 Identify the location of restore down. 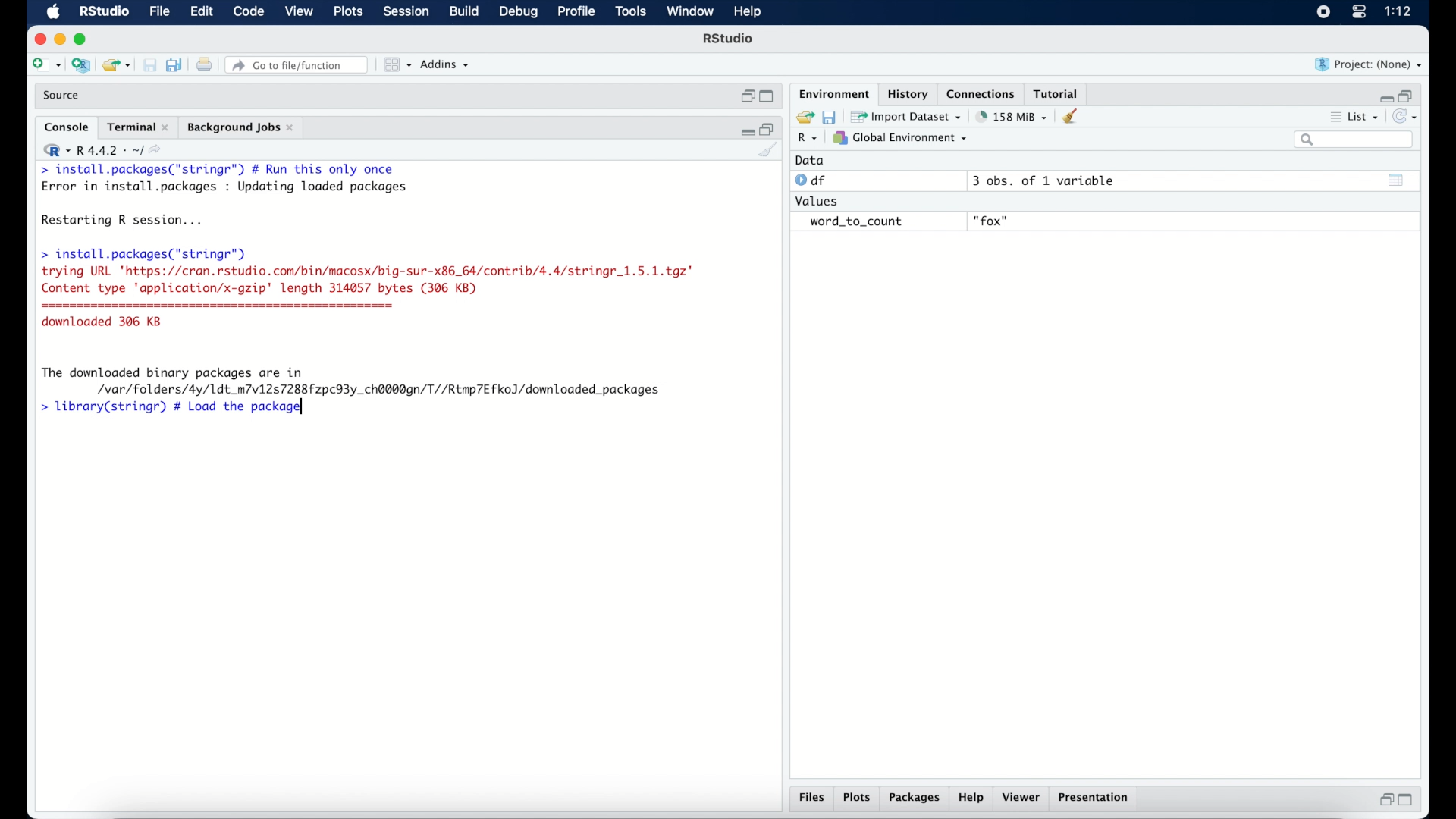
(746, 96).